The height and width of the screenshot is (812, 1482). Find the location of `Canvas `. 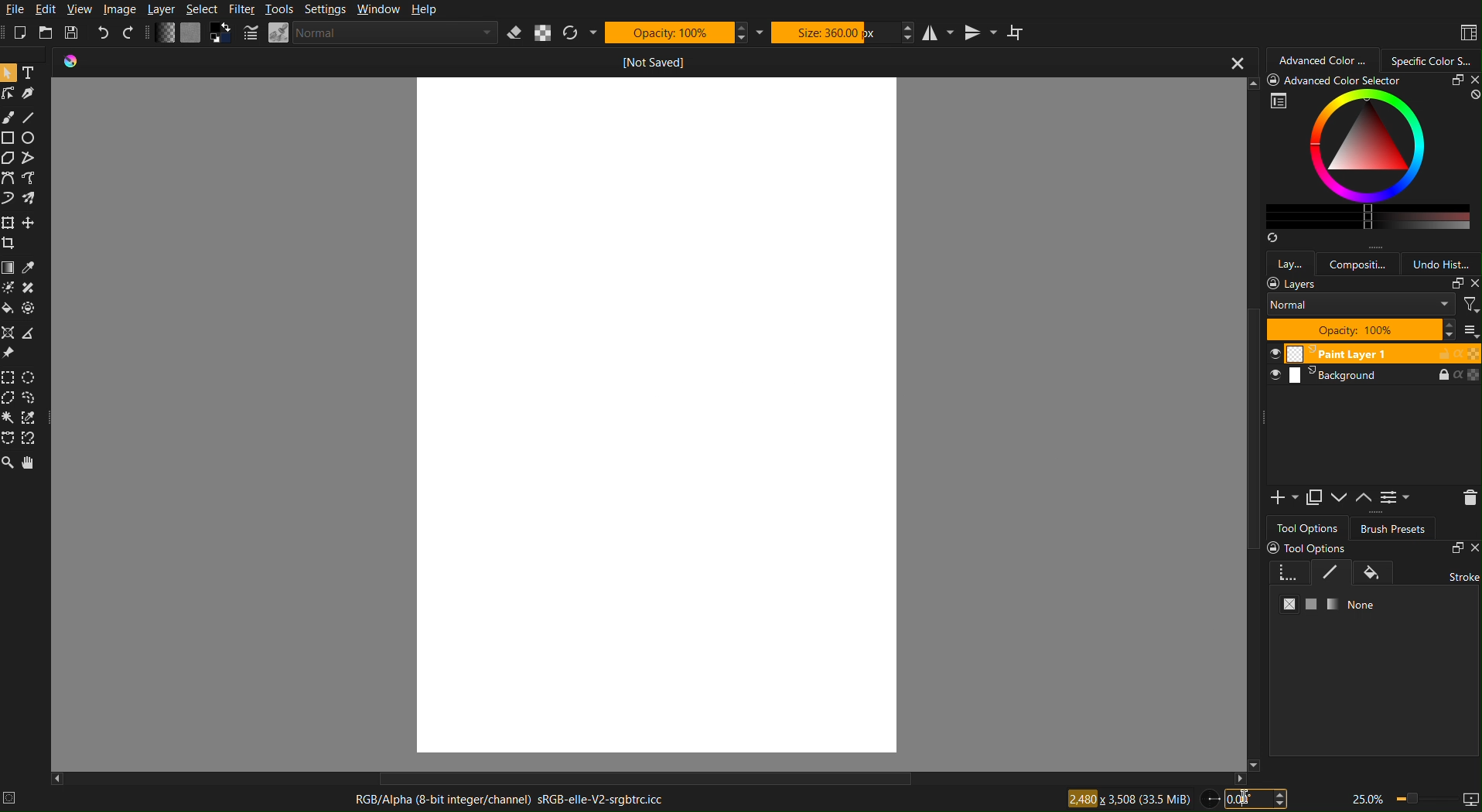

Canvas  is located at coordinates (656, 419).